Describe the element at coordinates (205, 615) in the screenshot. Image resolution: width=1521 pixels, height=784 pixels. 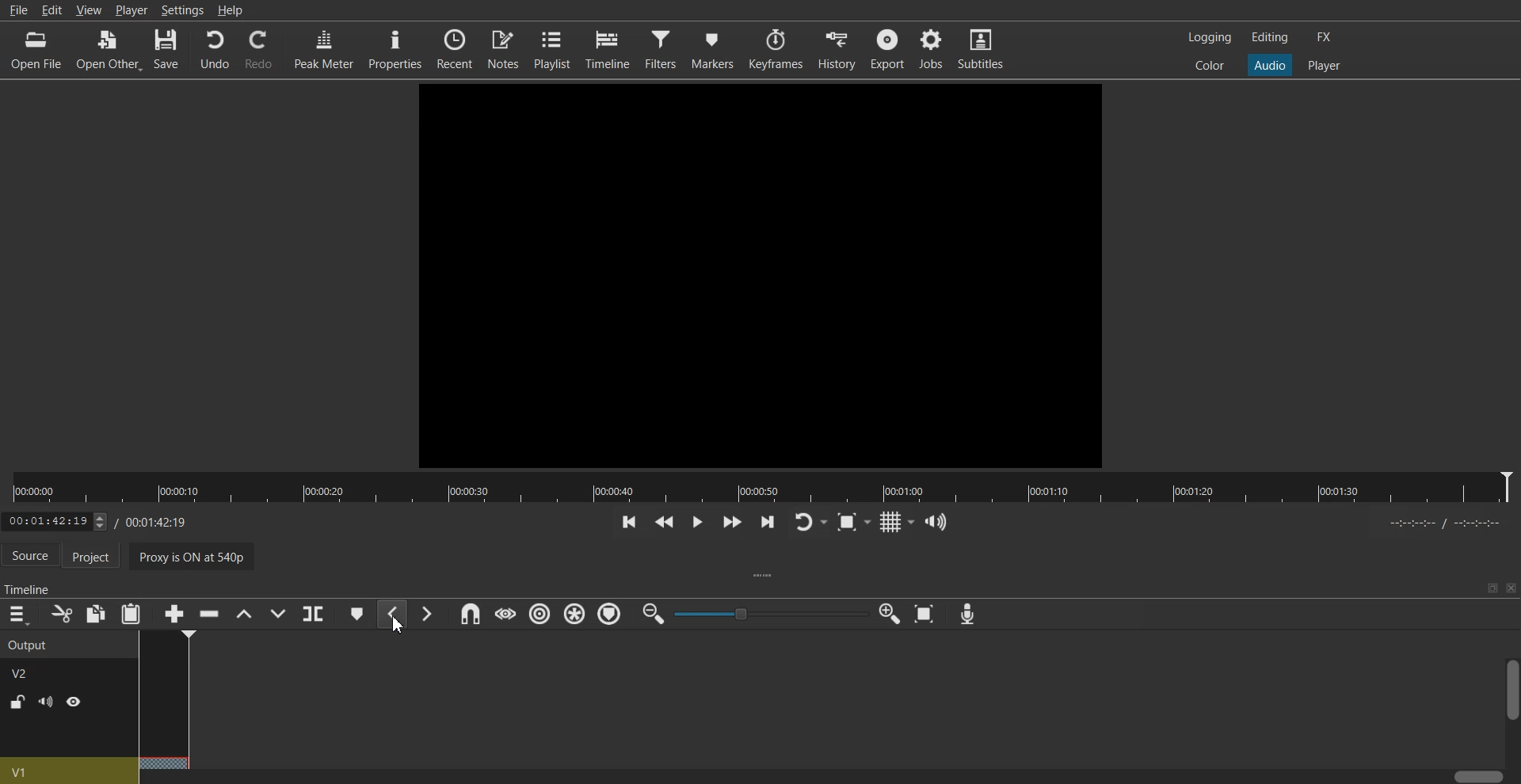
I see `Ripple Delete` at that location.